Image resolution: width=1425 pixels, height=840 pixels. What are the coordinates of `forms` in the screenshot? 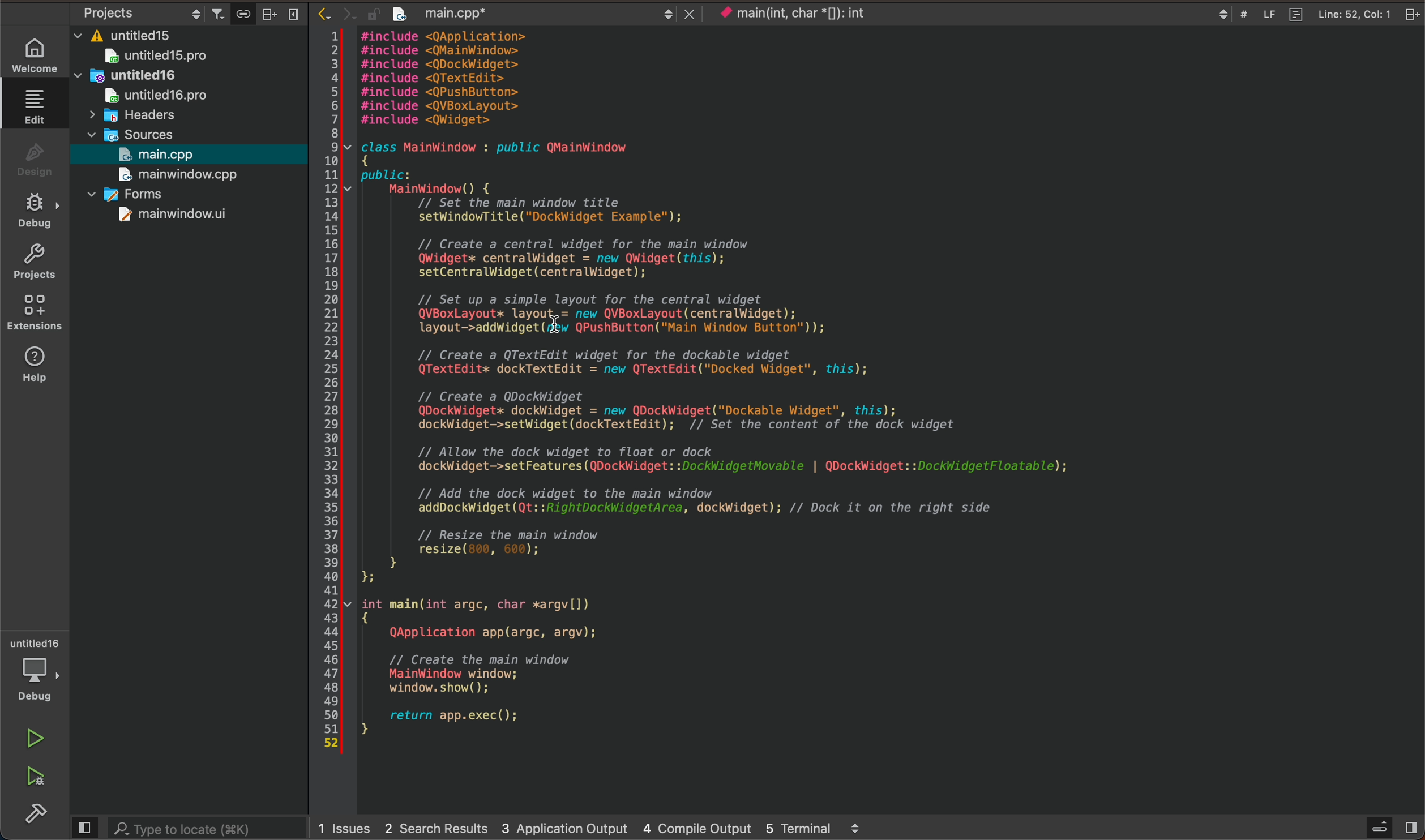 It's located at (136, 194).